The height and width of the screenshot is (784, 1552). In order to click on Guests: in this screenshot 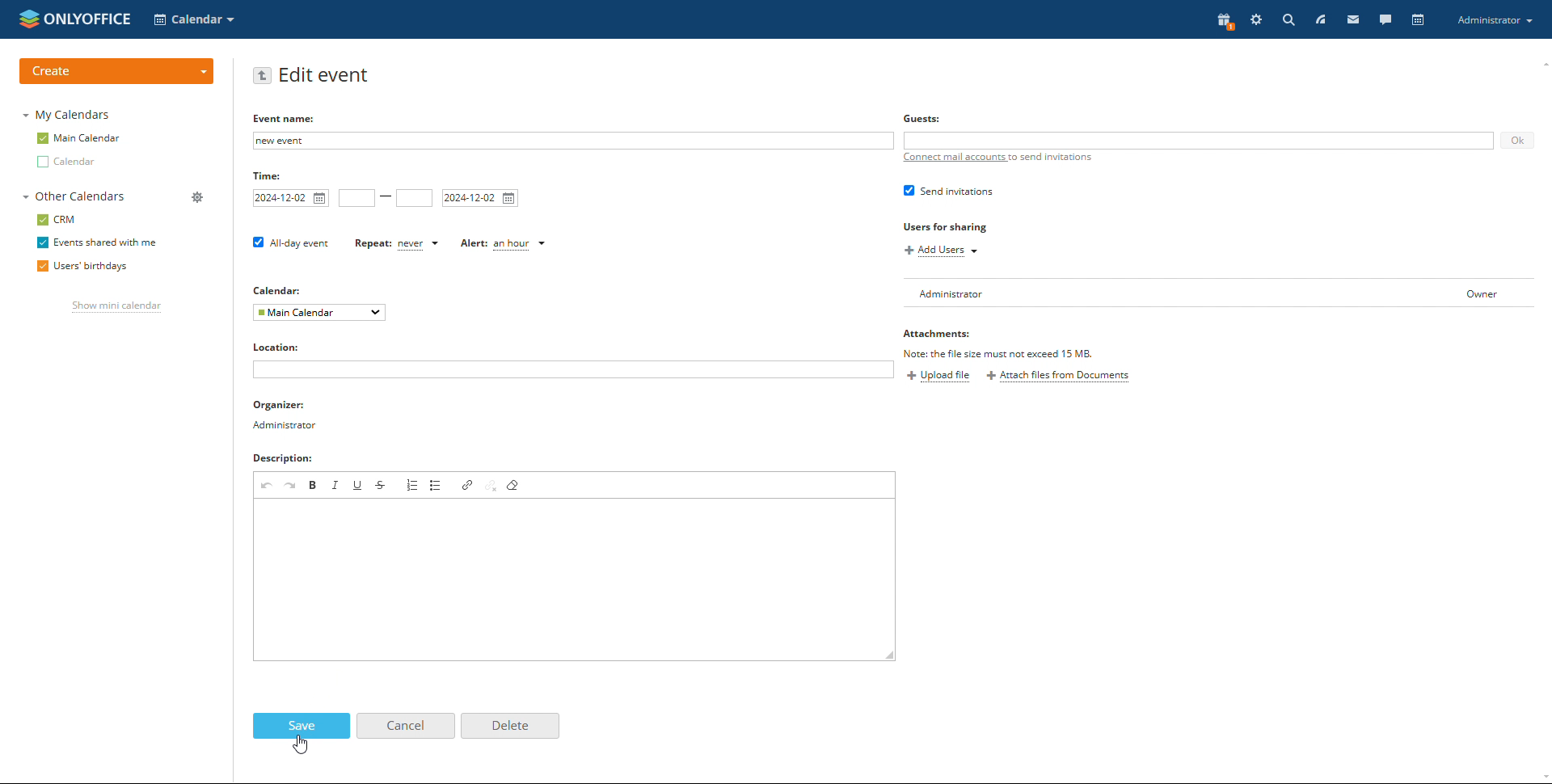, I will do `click(927, 119)`.